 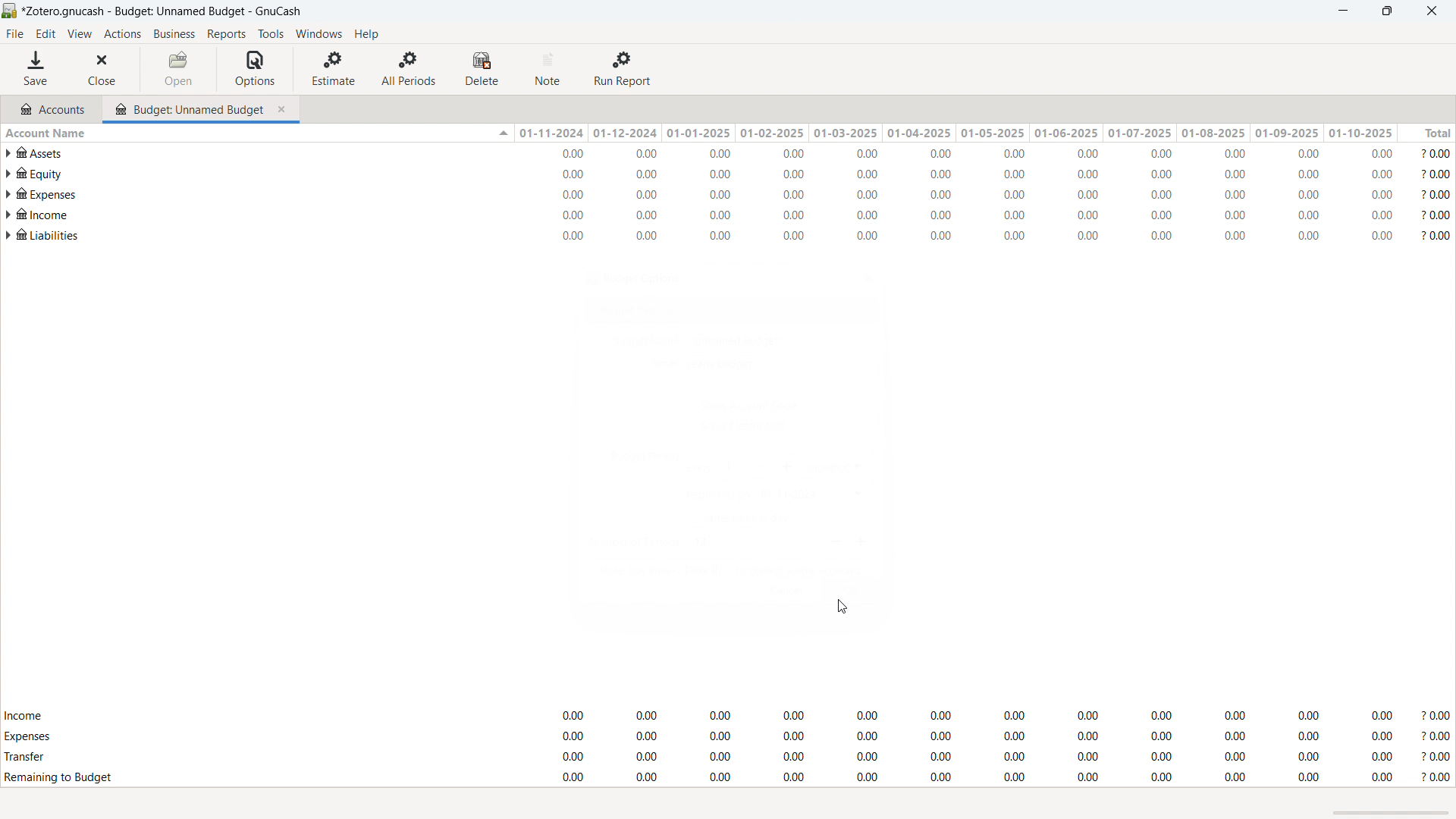 What do you see at coordinates (1215, 133) in the screenshot?
I see `01-08-2025` at bounding box center [1215, 133].